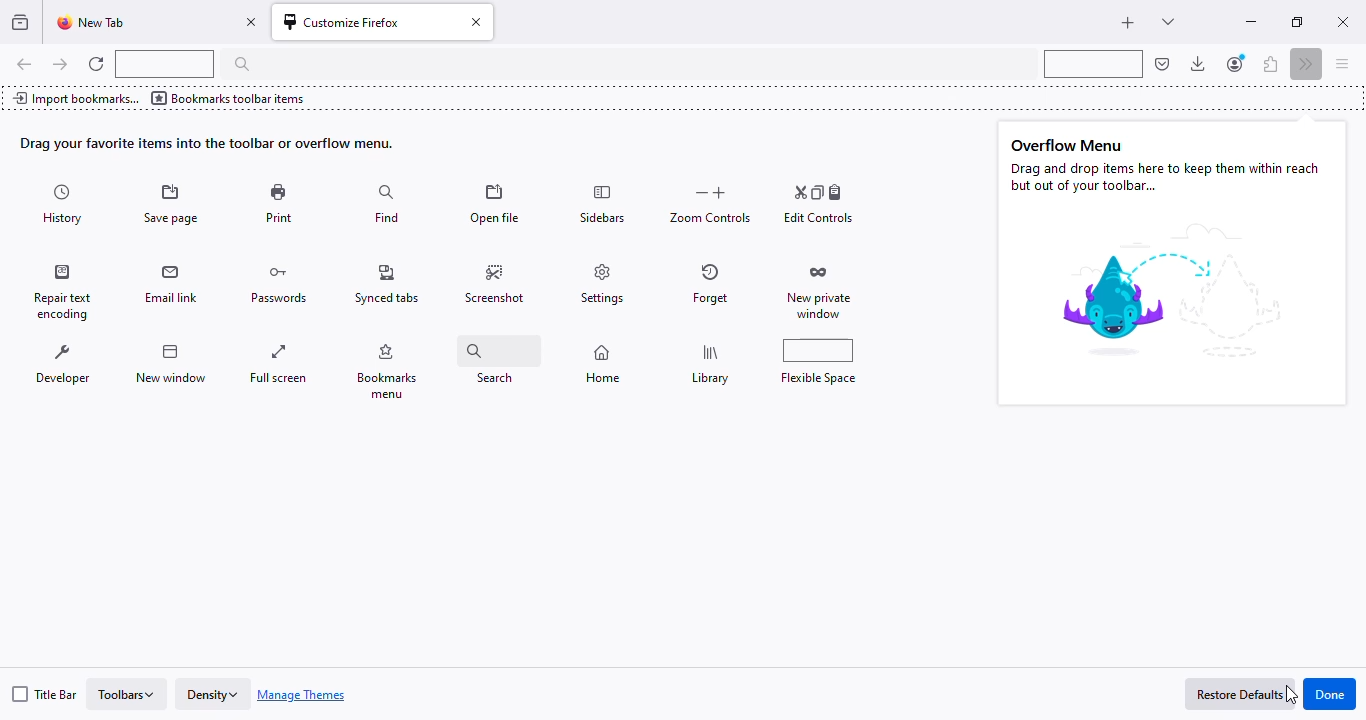 This screenshot has width=1366, height=720. Describe the element at coordinates (818, 205) in the screenshot. I see `edit controls` at that location.